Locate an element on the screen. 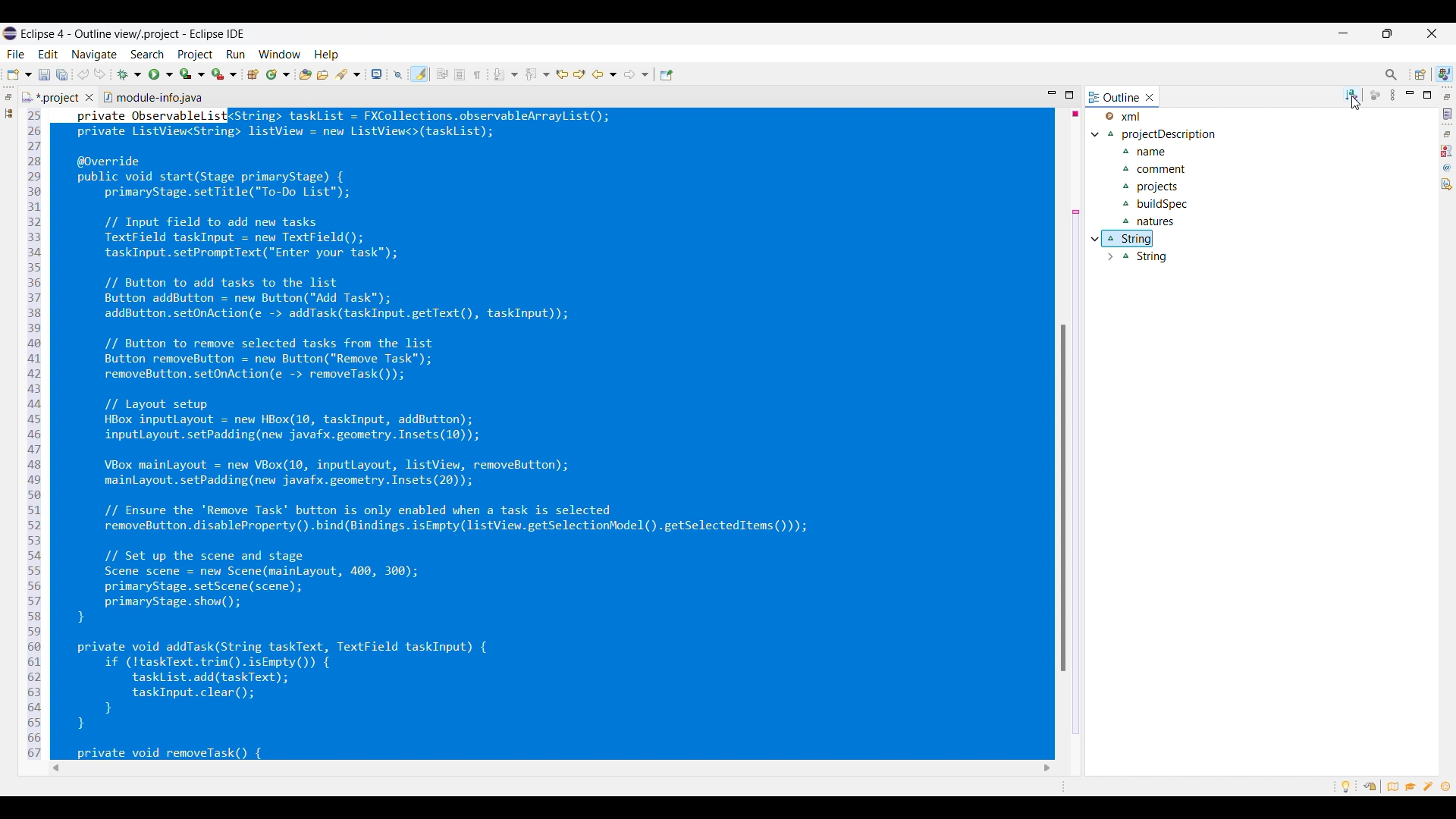 The width and height of the screenshot is (1456, 819). Restore welcome is located at coordinates (1370, 786).